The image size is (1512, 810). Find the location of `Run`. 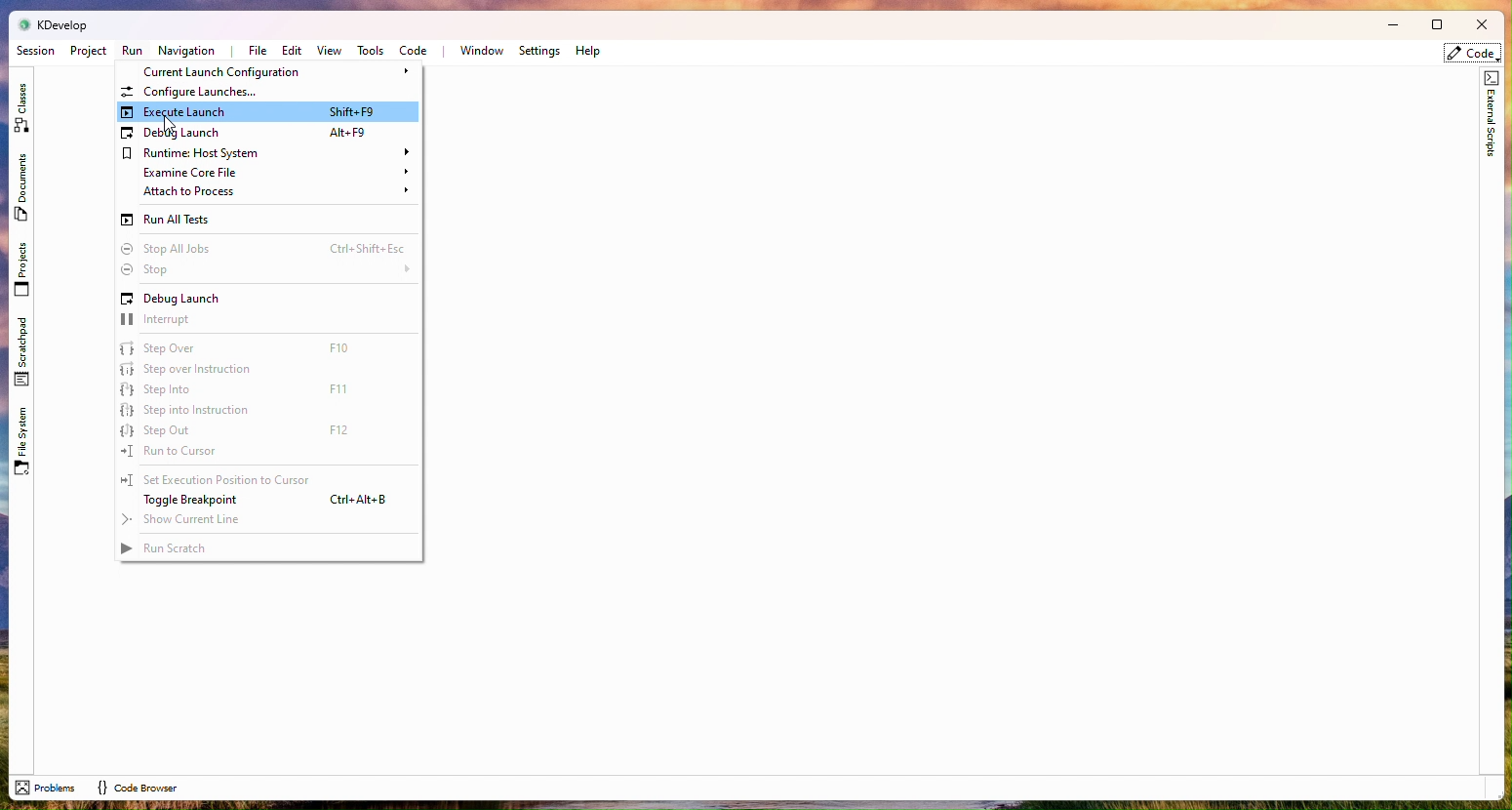

Run is located at coordinates (133, 51).